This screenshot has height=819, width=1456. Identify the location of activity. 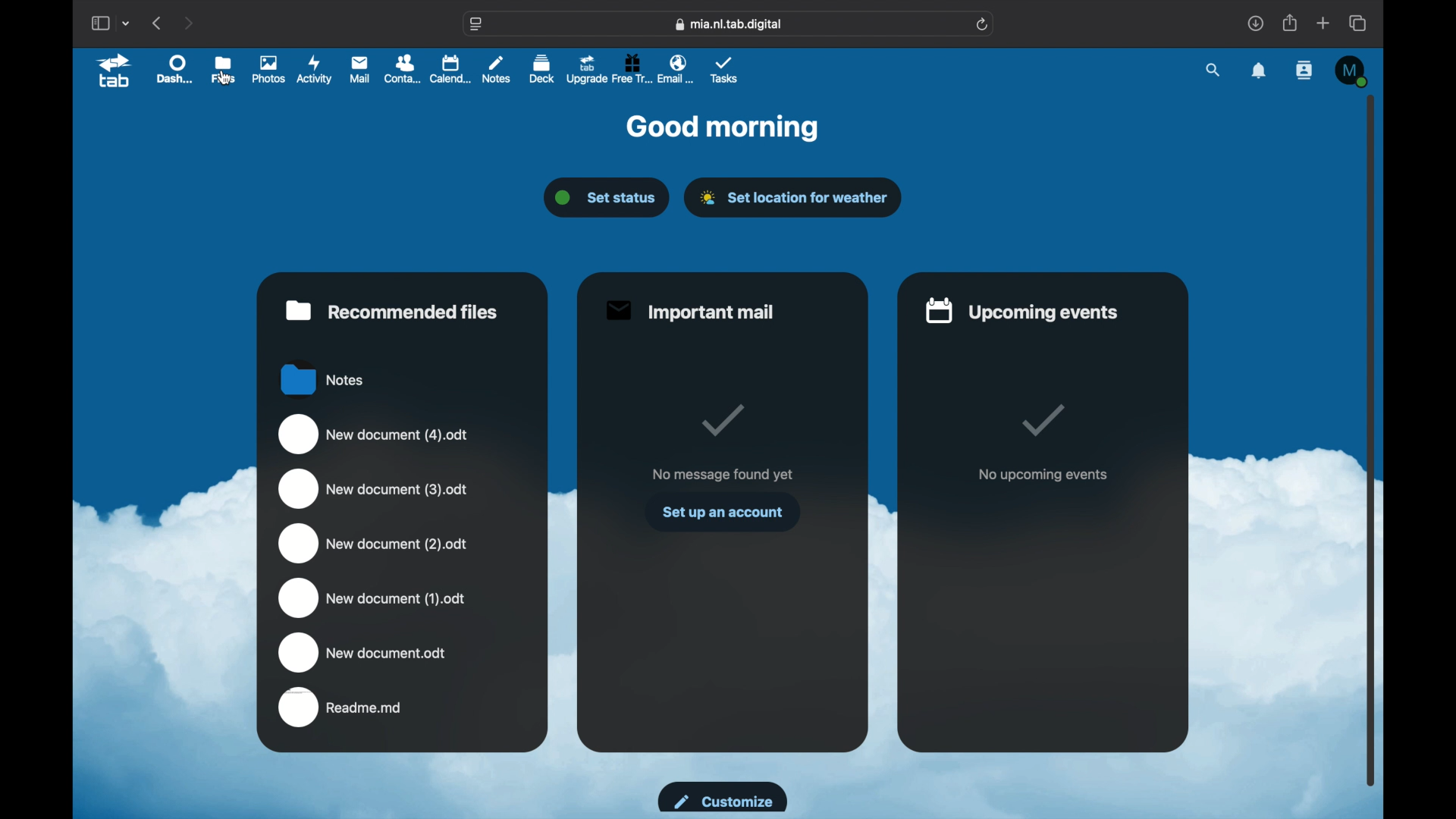
(315, 71).